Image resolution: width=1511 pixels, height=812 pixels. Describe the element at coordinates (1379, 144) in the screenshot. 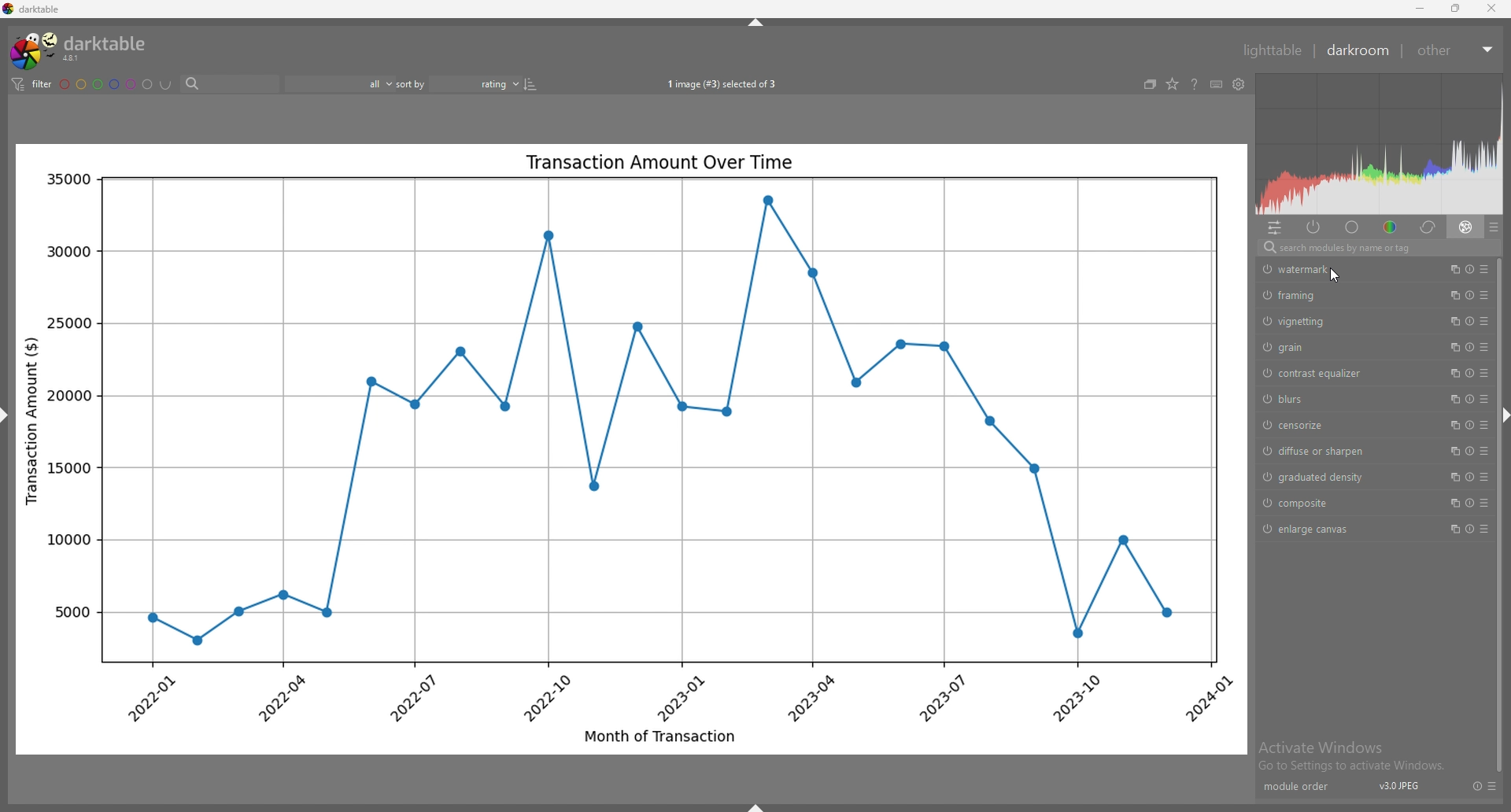

I see `heat map` at that location.